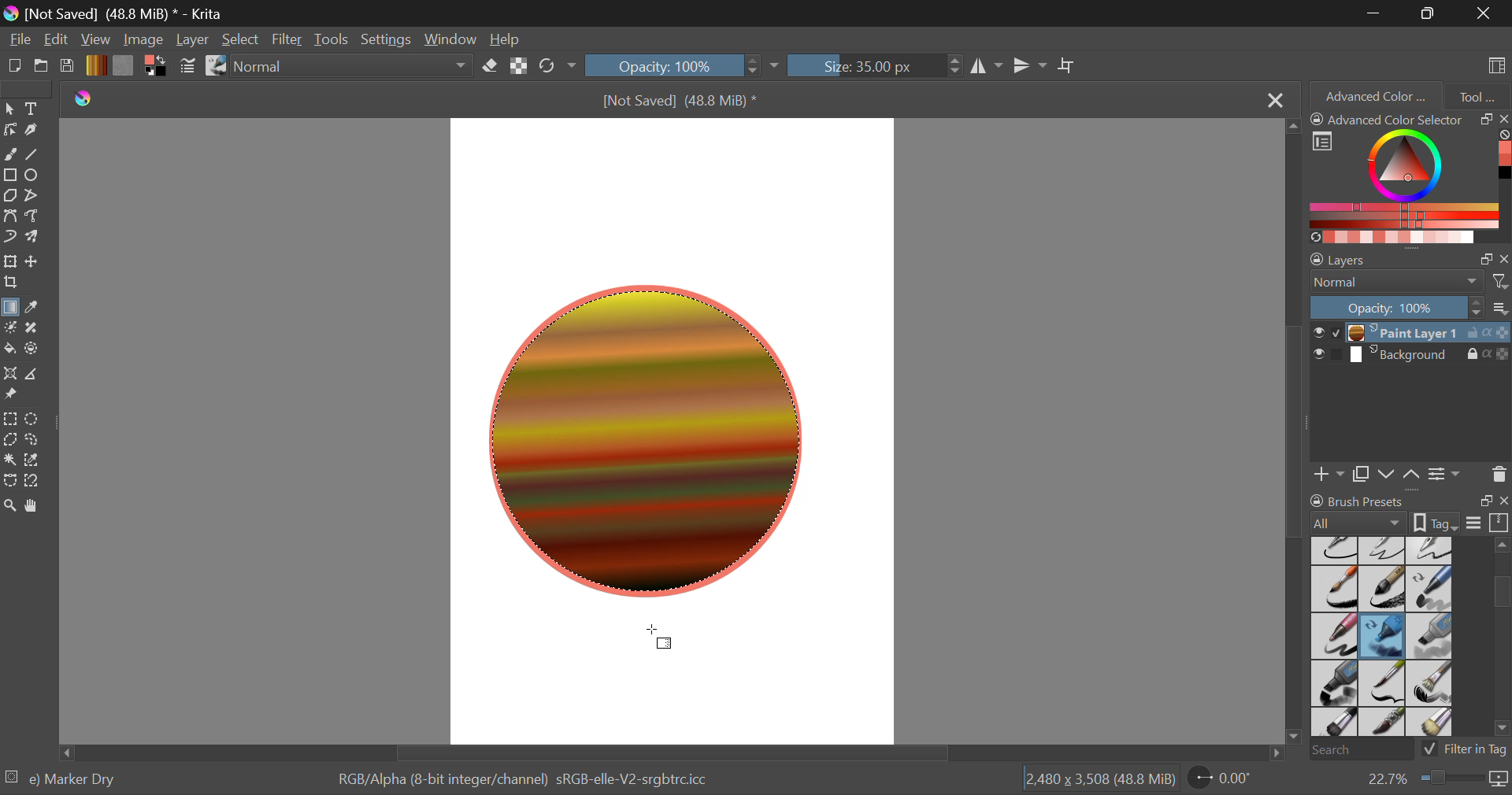 Image resolution: width=1512 pixels, height=795 pixels. Describe the element at coordinates (1431, 636) in the screenshot. I see `Marker Medium` at that location.